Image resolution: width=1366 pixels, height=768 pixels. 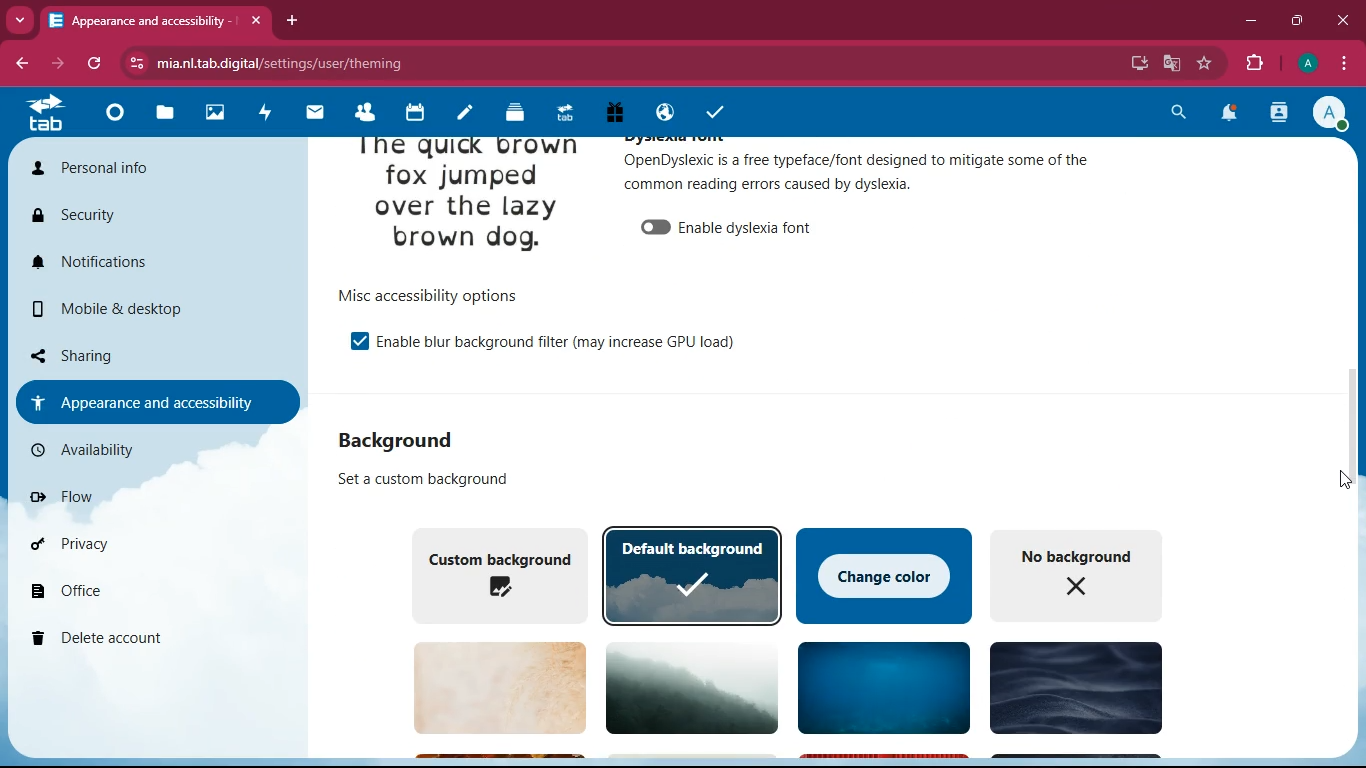 What do you see at coordinates (426, 295) in the screenshot?
I see `options` at bounding box center [426, 295].